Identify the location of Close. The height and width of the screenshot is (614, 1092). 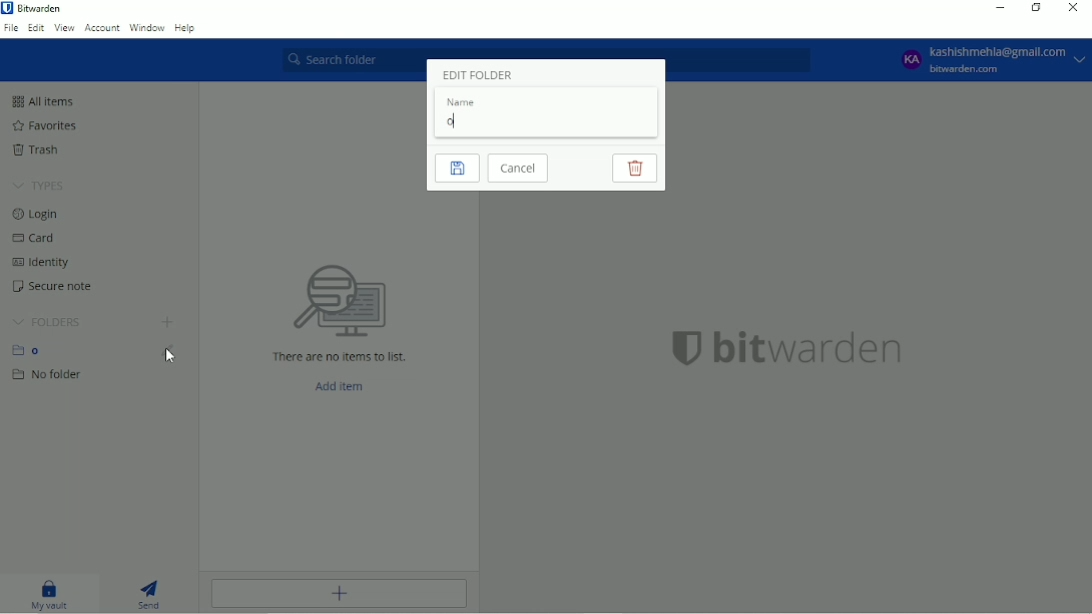
(1074, 8).